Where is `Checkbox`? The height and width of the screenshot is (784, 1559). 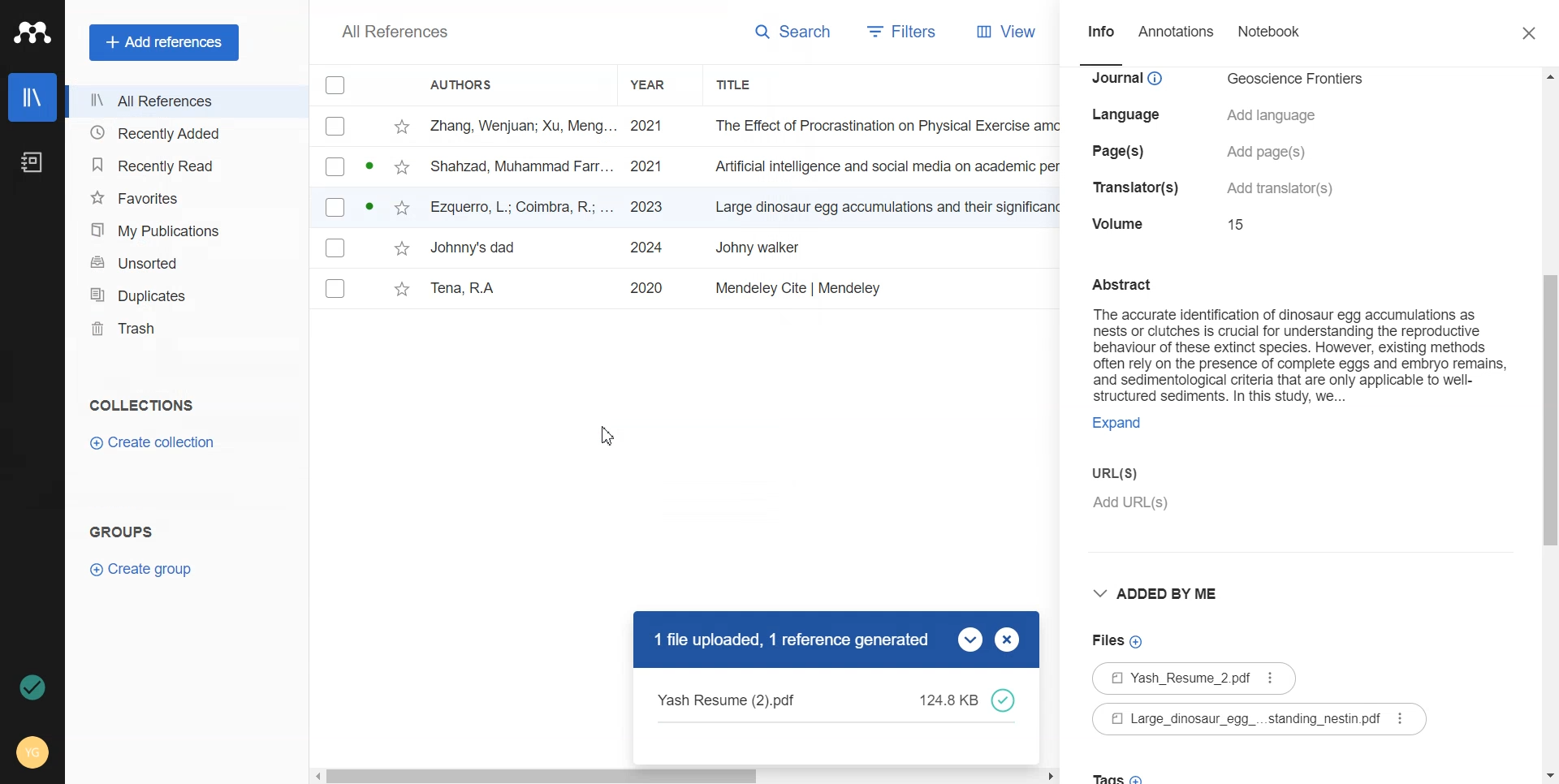 Checkbox is located at coordinates (336, 288).